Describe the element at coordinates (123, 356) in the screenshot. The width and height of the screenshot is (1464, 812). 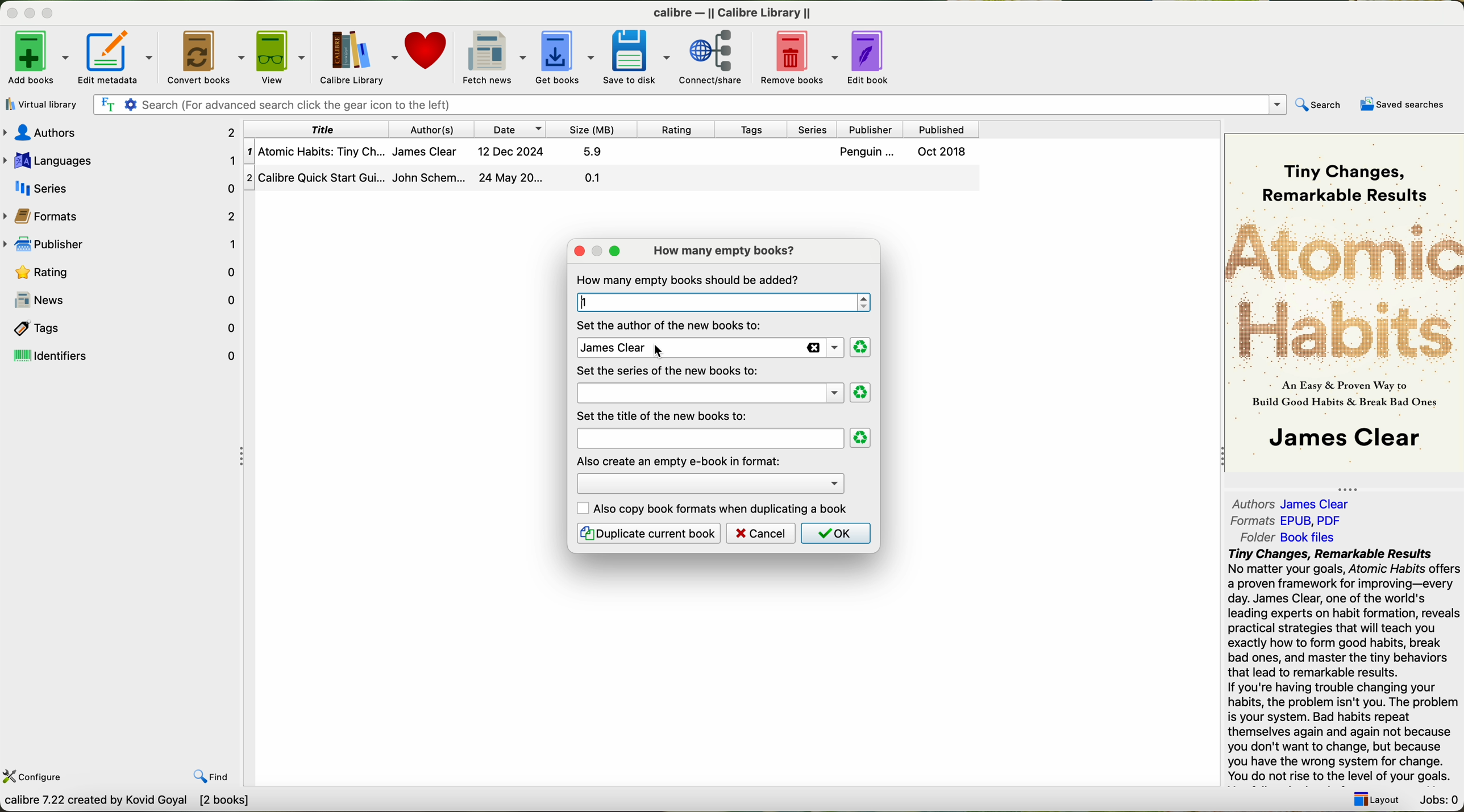
I see `identifiers` at that location.